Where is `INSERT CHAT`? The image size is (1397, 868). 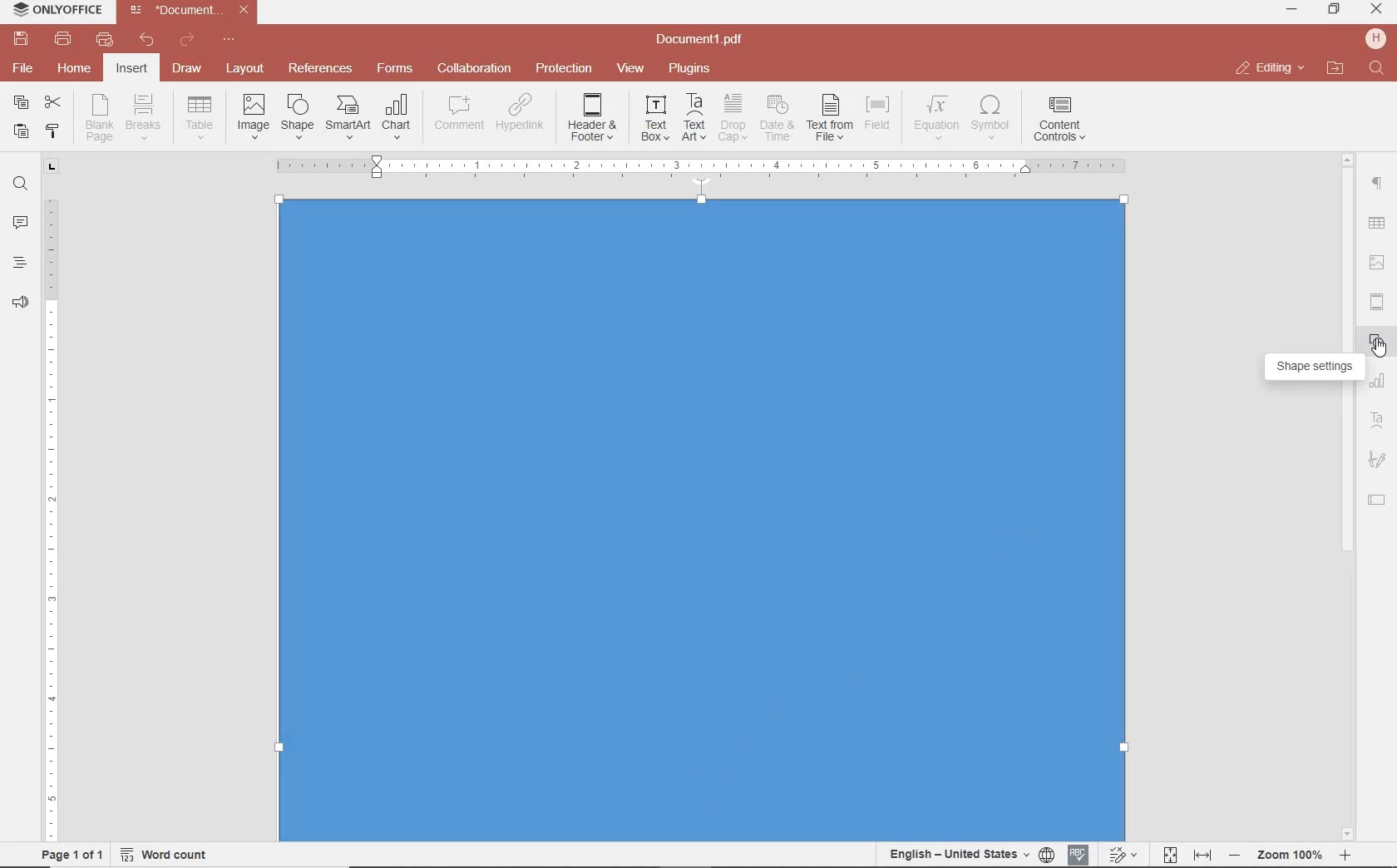 INSERT CHAT is located at coordinates (397, 118).